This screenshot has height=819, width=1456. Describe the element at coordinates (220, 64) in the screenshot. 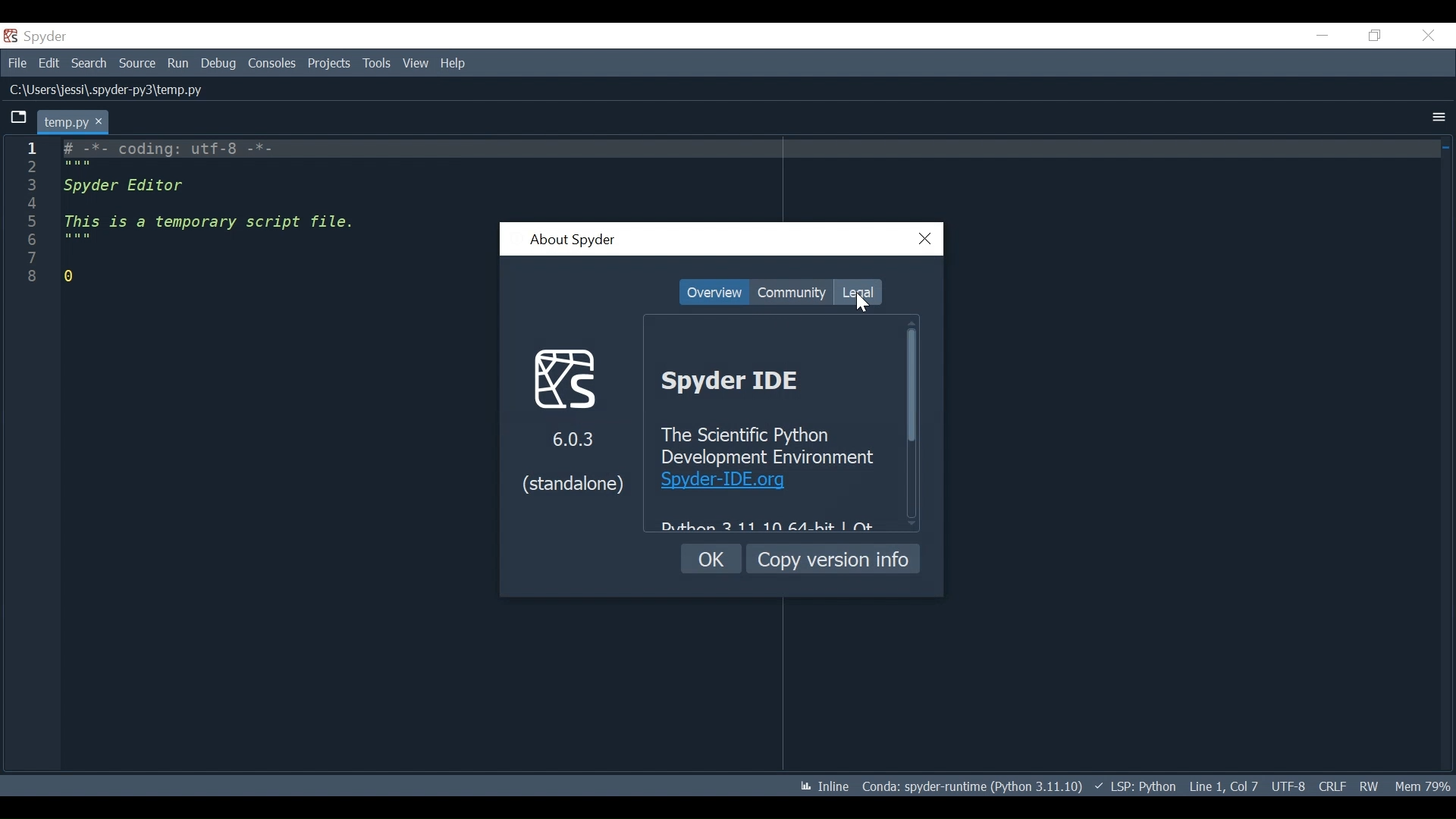

I see `Debug` at that location.